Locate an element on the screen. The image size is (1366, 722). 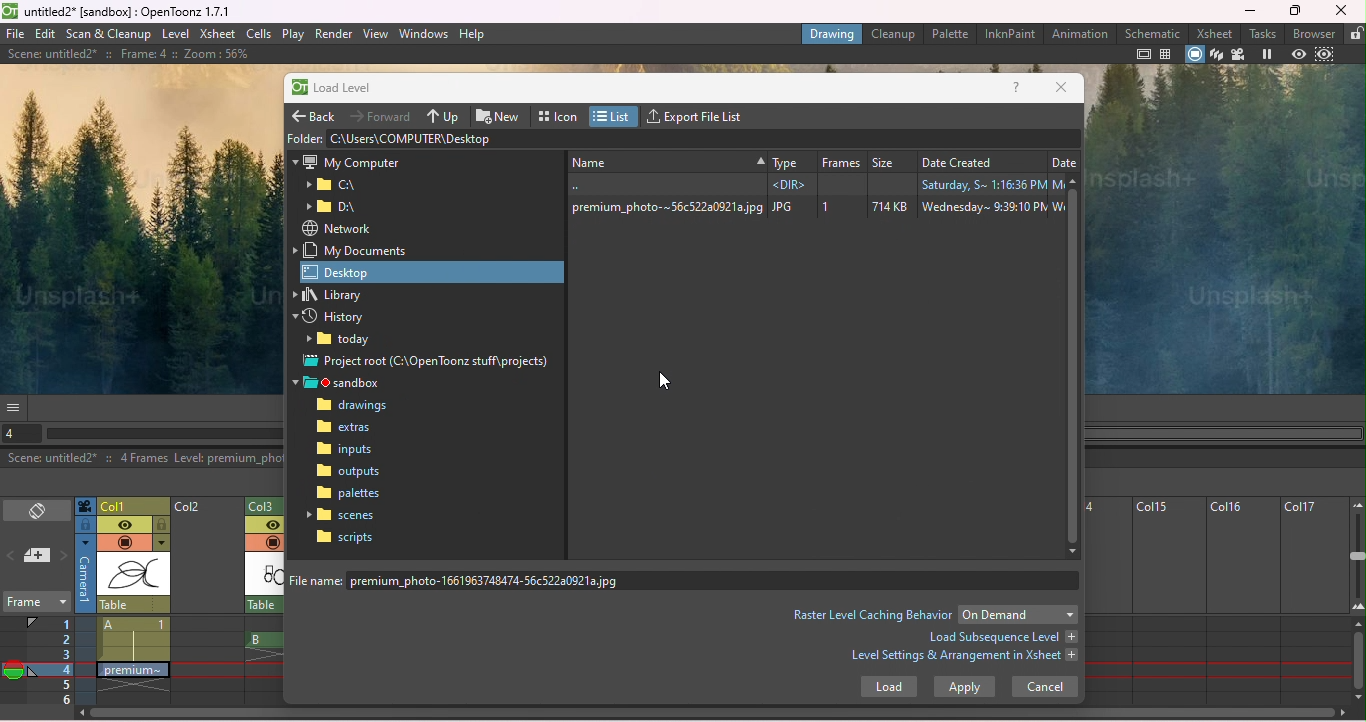
Animatio is located at coordinates (1079, 33).